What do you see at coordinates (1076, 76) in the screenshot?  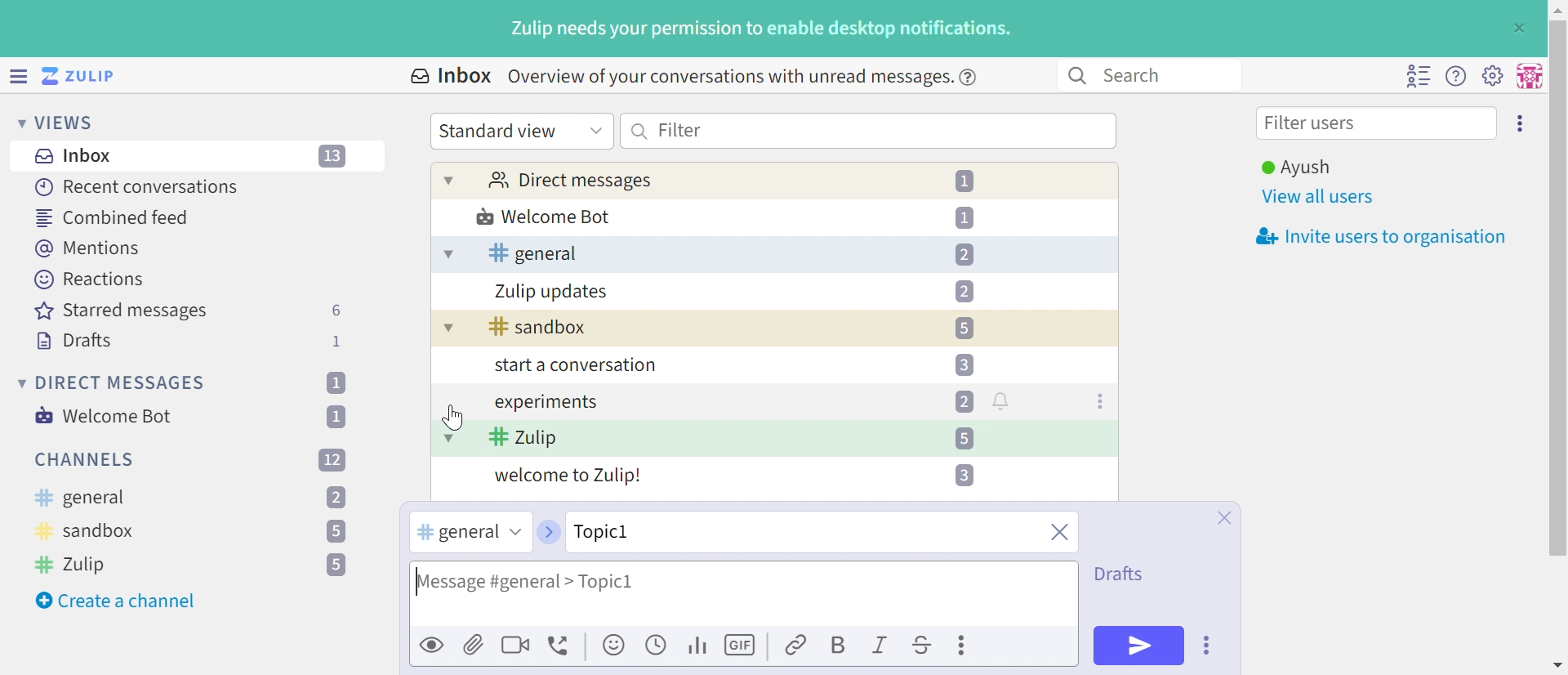 I see `Search` at bounding box center [1076, 76].